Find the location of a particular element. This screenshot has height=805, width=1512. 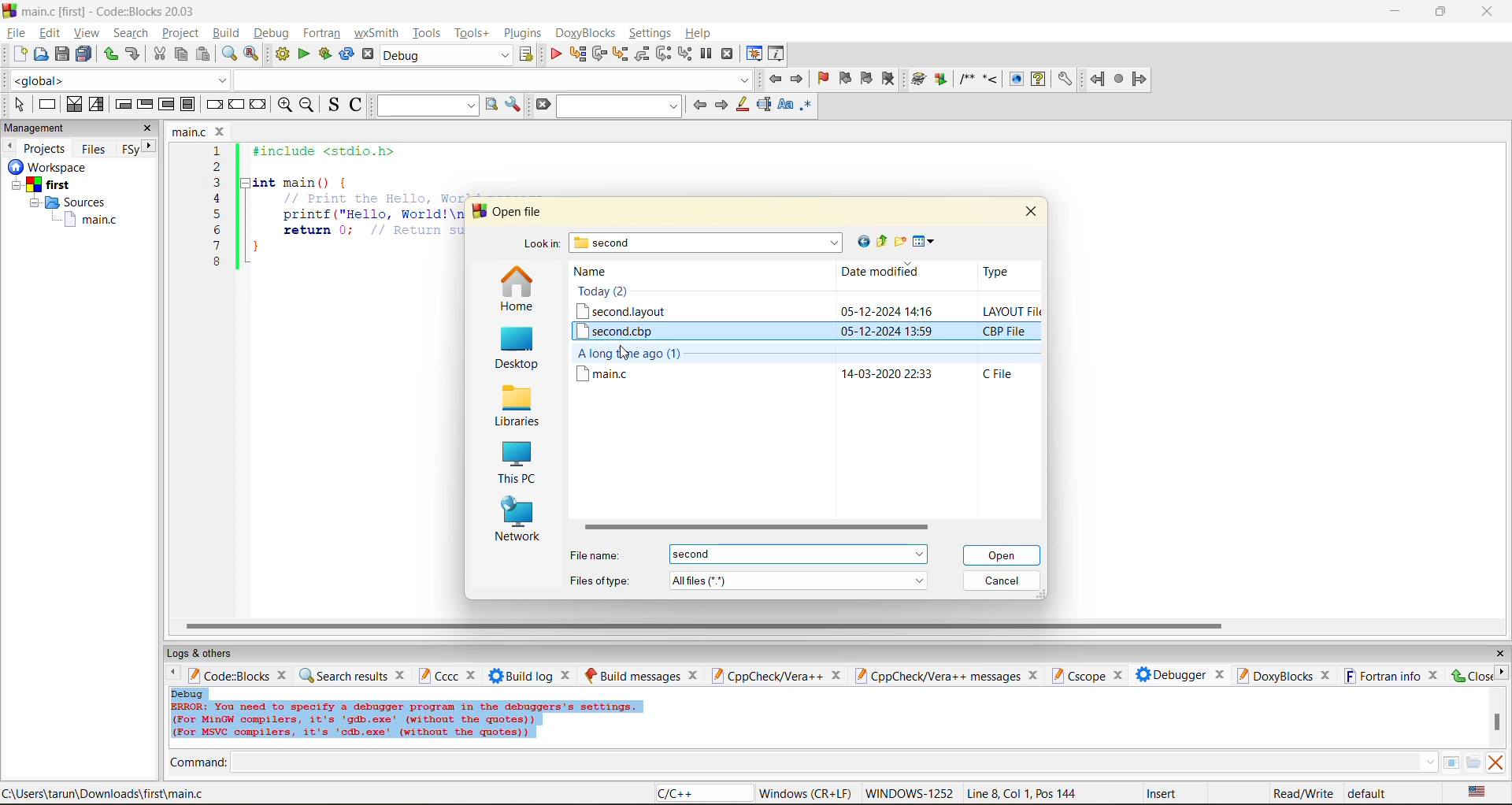

close is located at coordinates (1326, 676).